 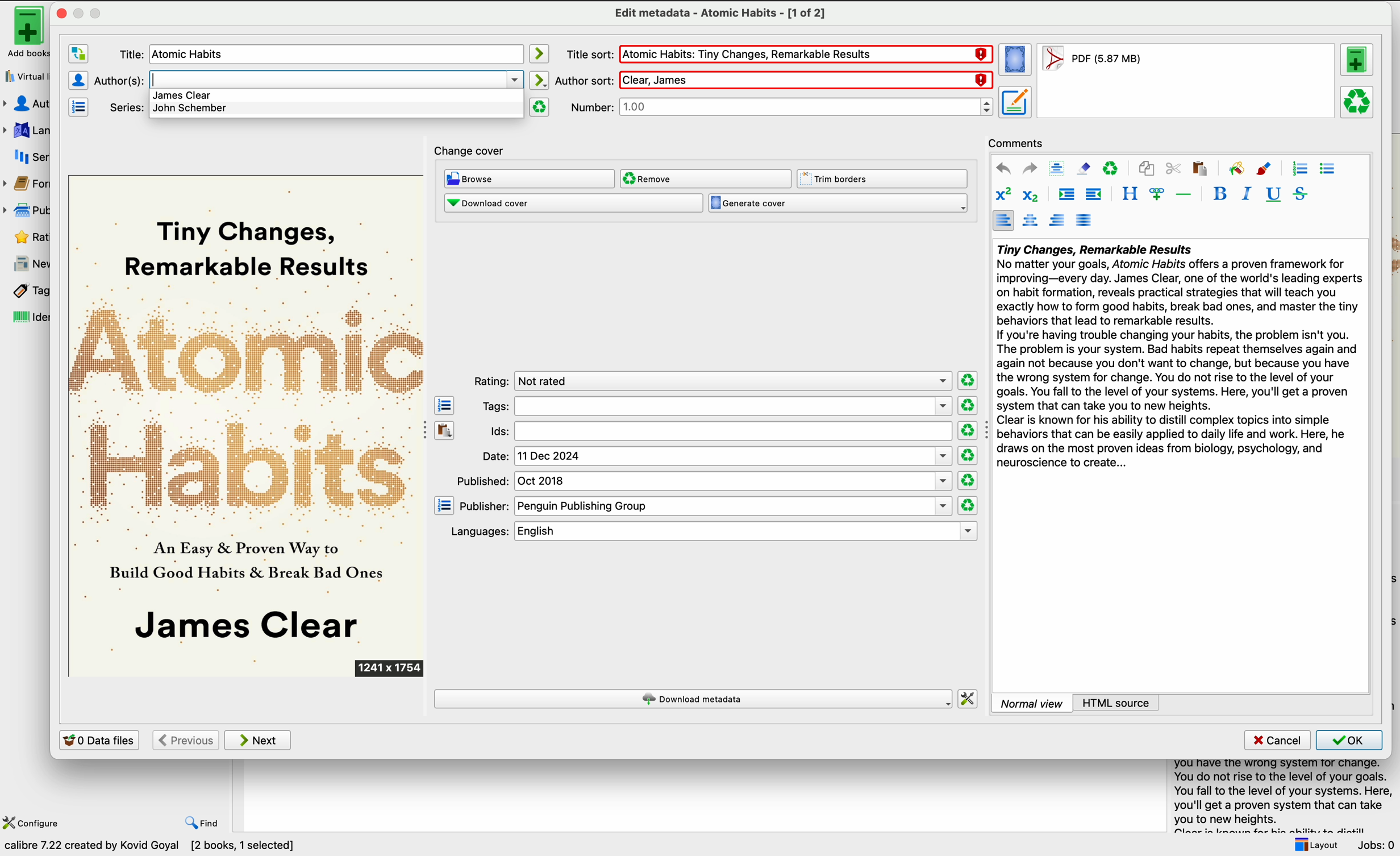 I want to click on decrease indentation, so click(x=1095, y=195).